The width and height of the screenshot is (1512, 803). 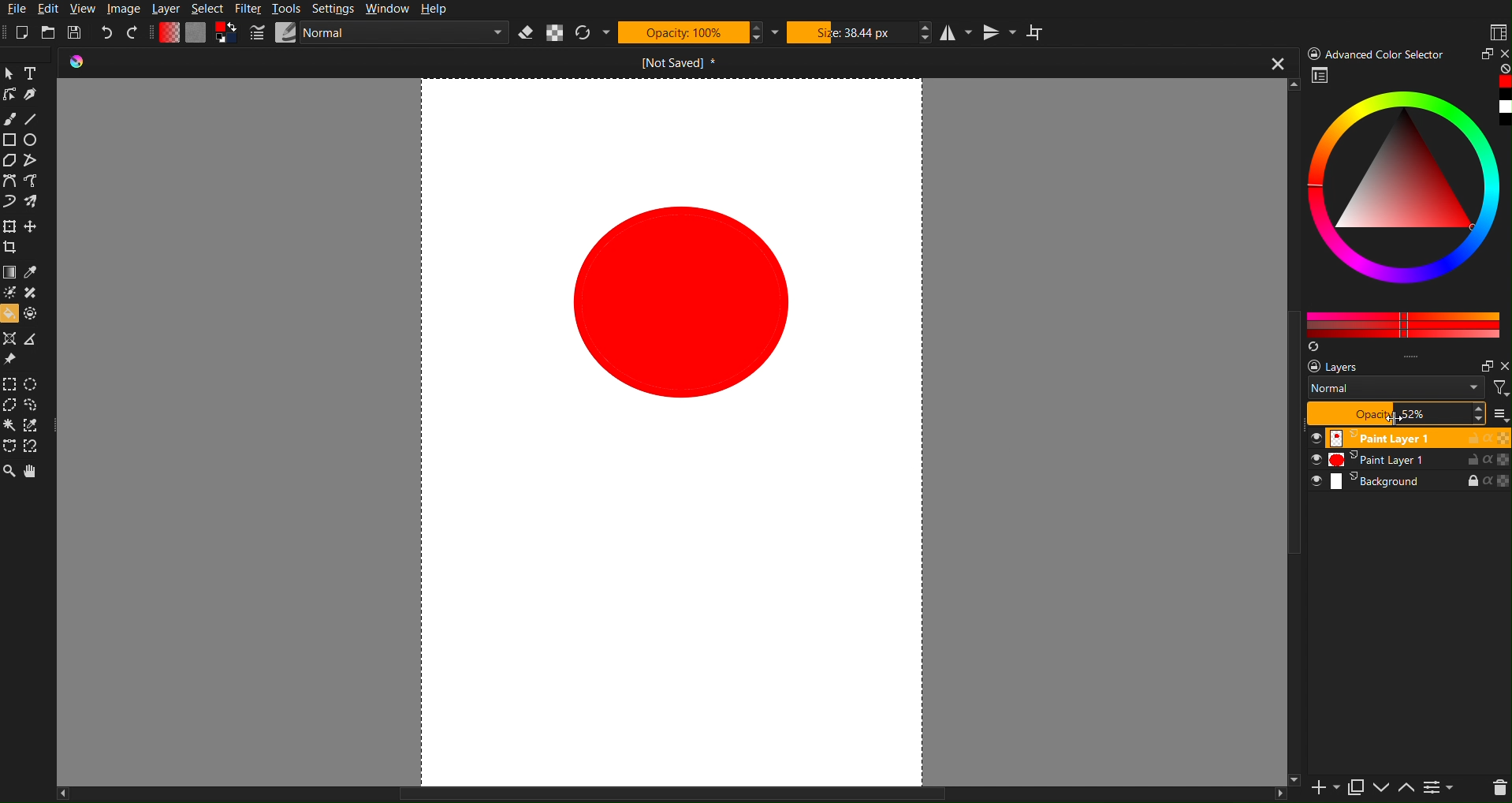 I want to click on Dynamic Brush, so click(x=9, y=200).